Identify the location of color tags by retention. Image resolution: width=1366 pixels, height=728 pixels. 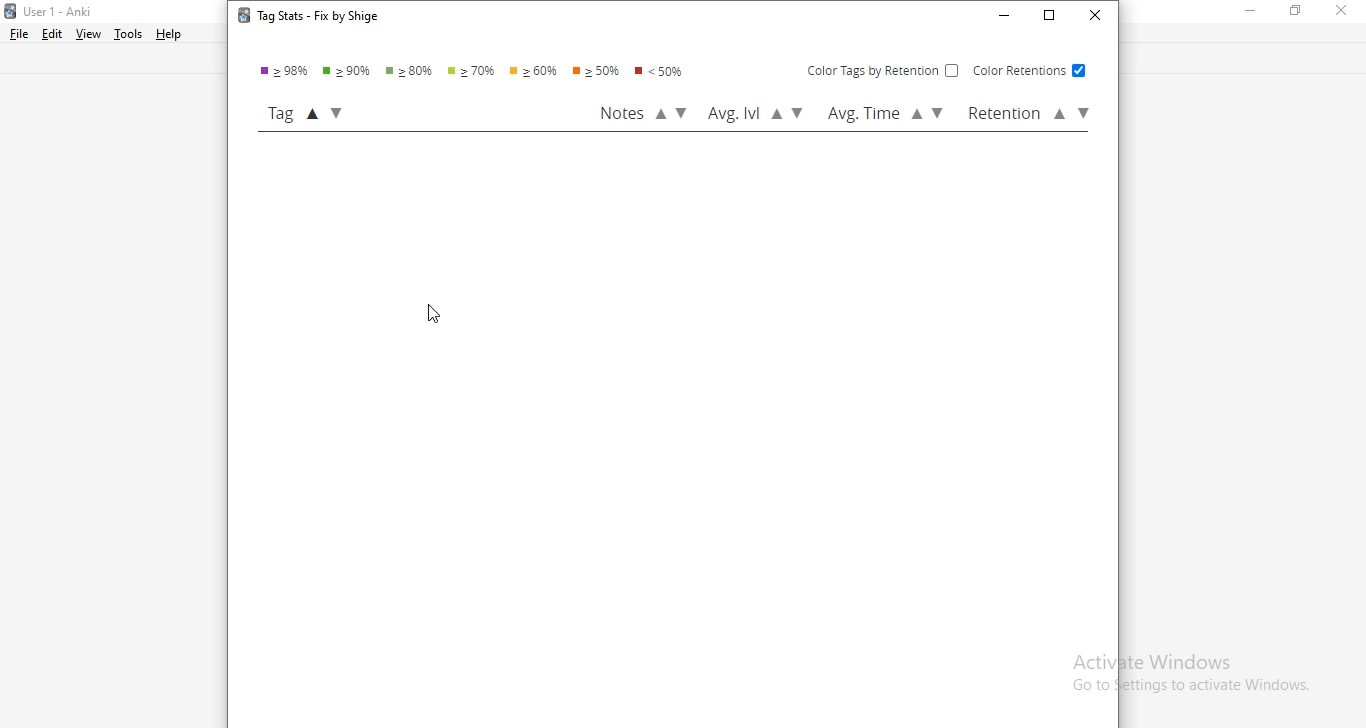
(883, 69).